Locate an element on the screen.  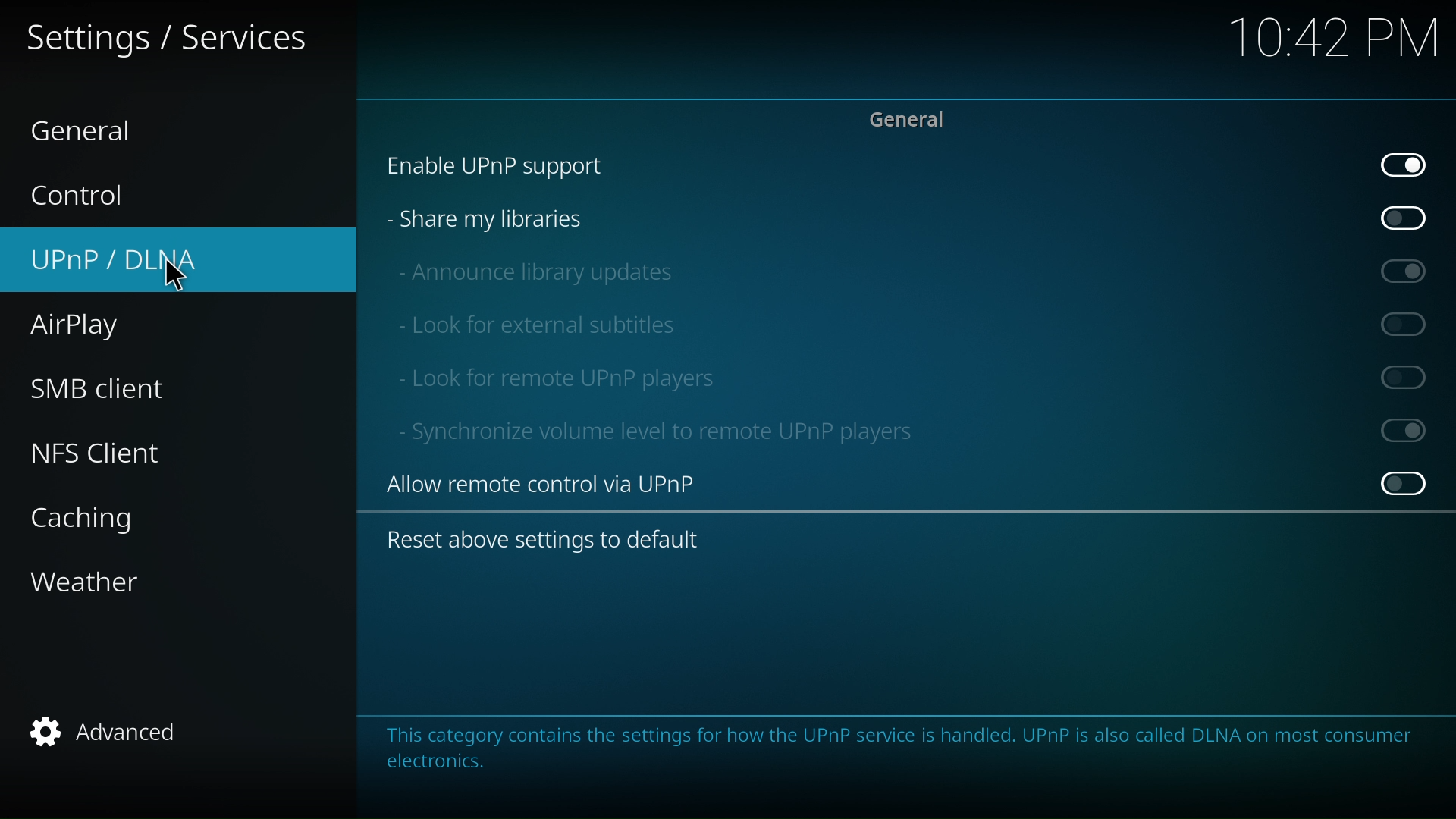
Synchronize volume level to remote UPnP players  is located at coordinates (911, 432).